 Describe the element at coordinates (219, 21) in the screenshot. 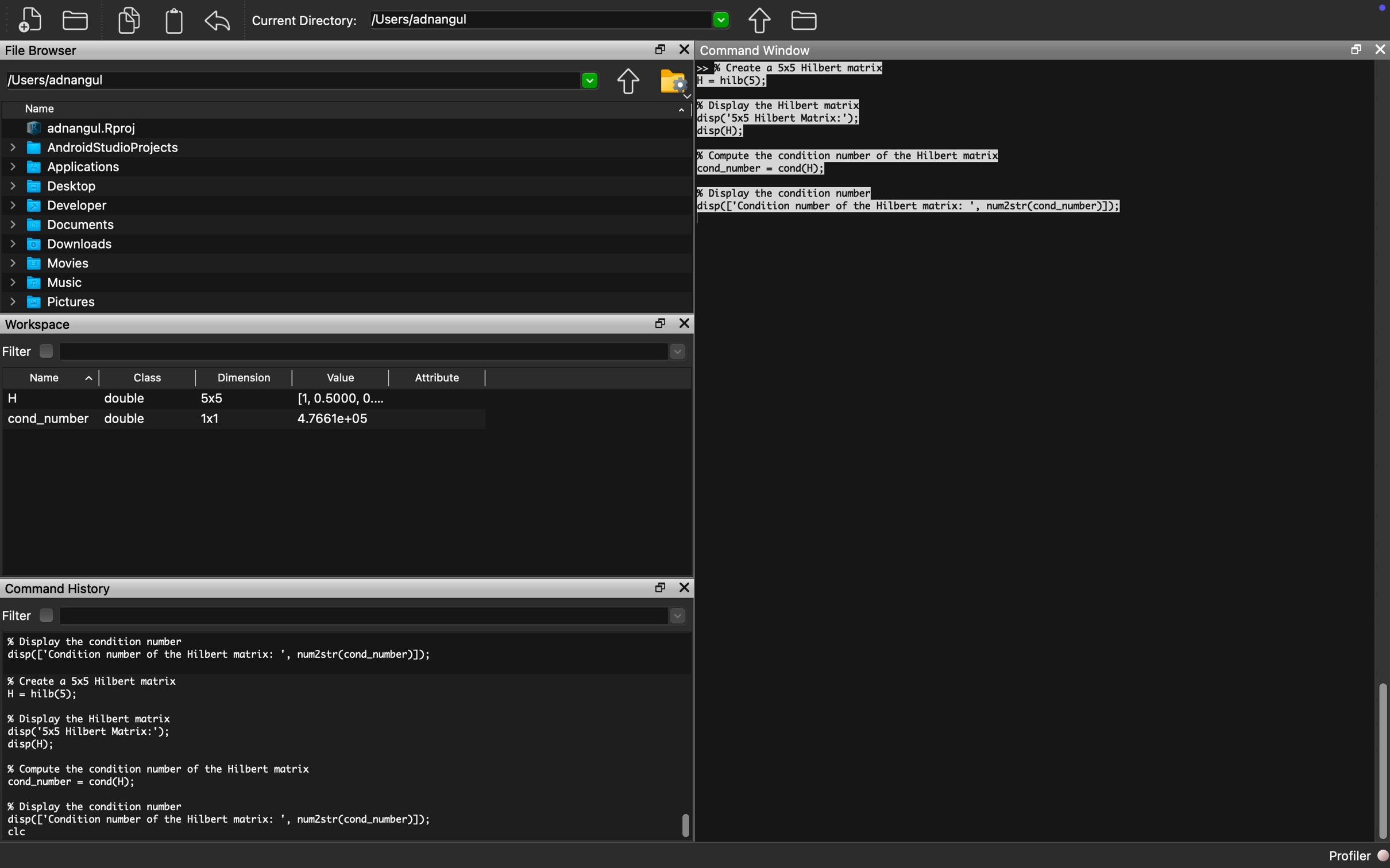

I see `Redo` at that location.